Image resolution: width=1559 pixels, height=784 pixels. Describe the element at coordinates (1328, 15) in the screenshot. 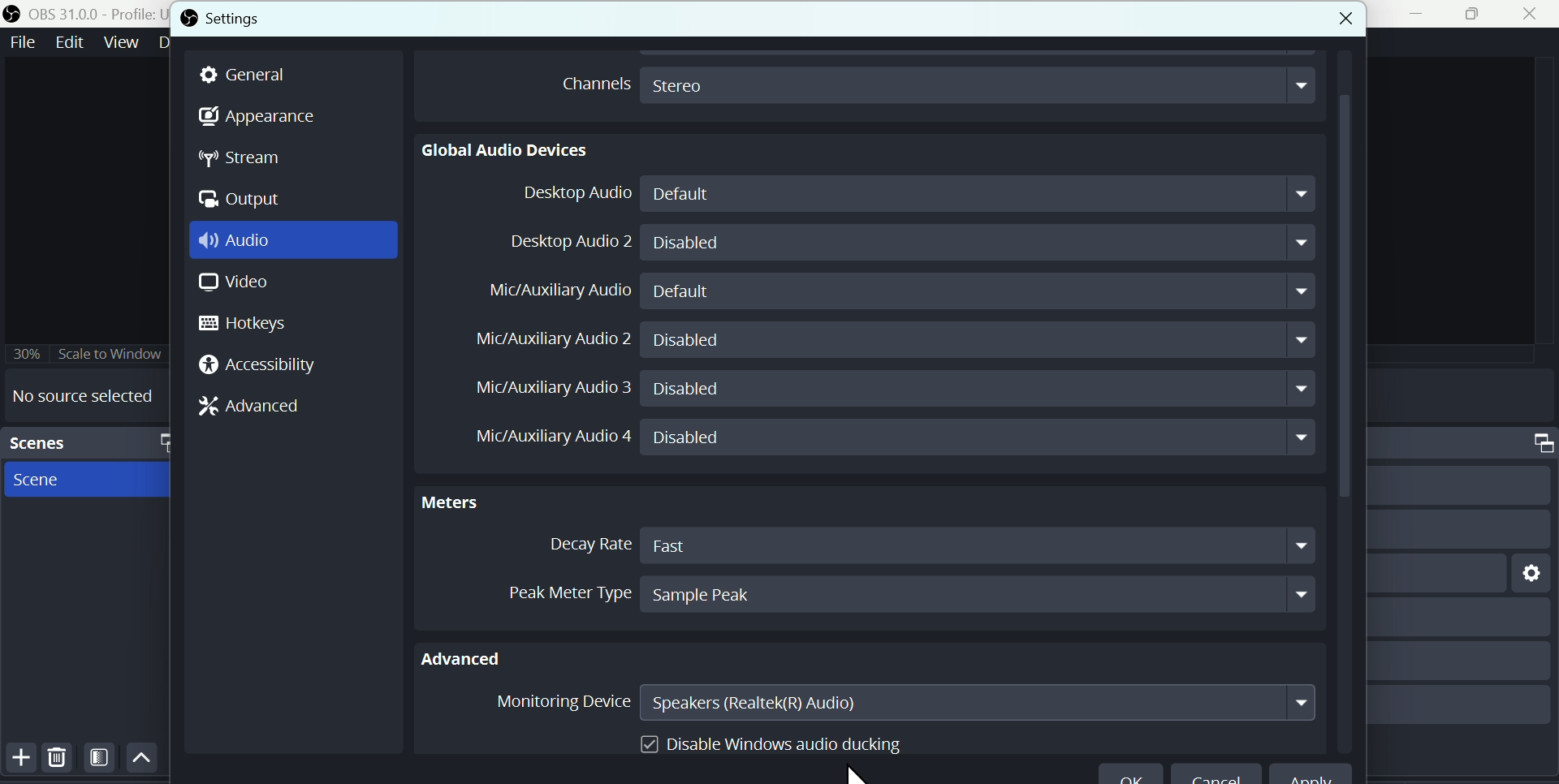

I see `close` at that location.